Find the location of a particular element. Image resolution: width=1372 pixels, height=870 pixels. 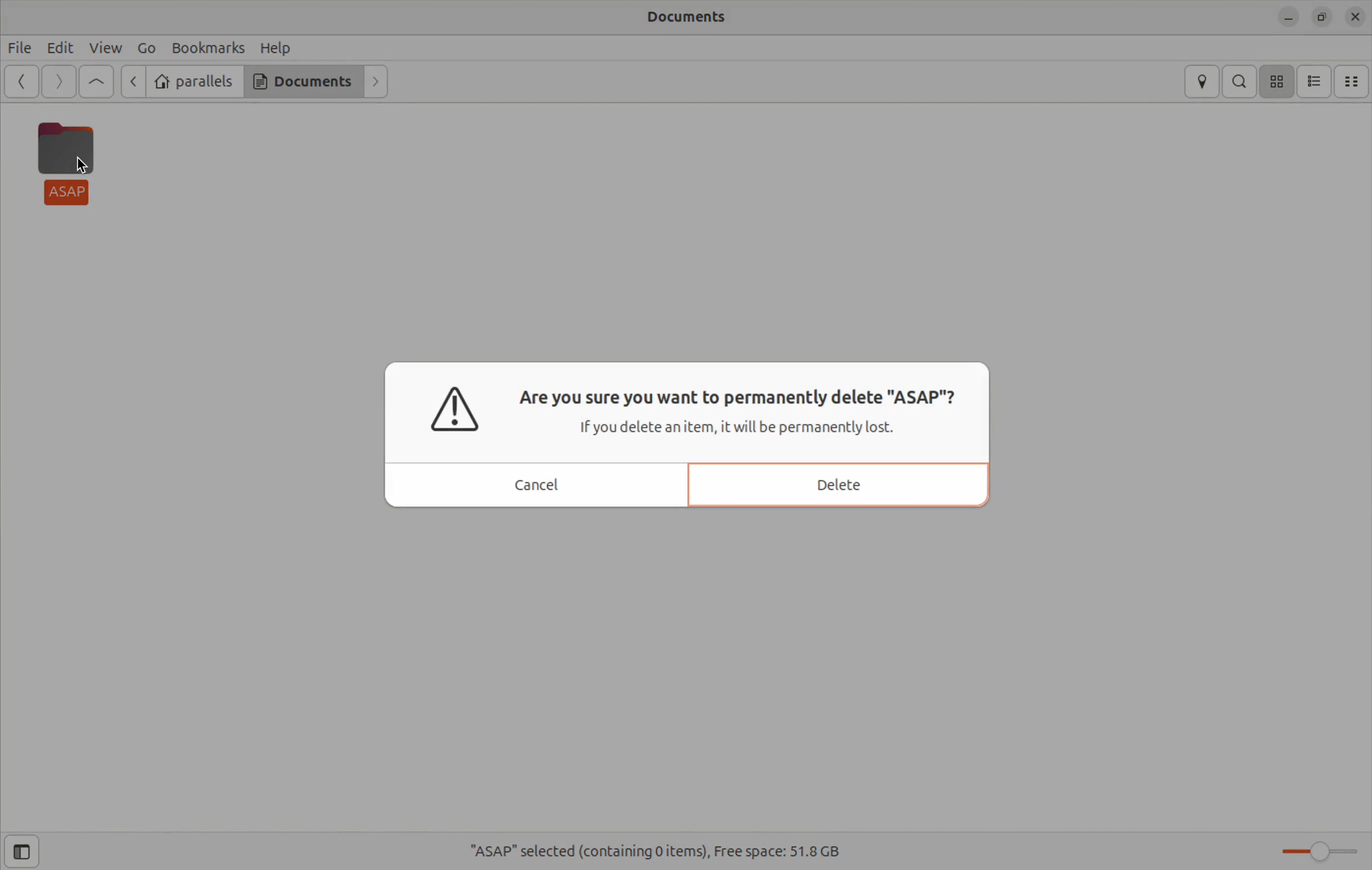

resize is located at coordinates (1319, 15).